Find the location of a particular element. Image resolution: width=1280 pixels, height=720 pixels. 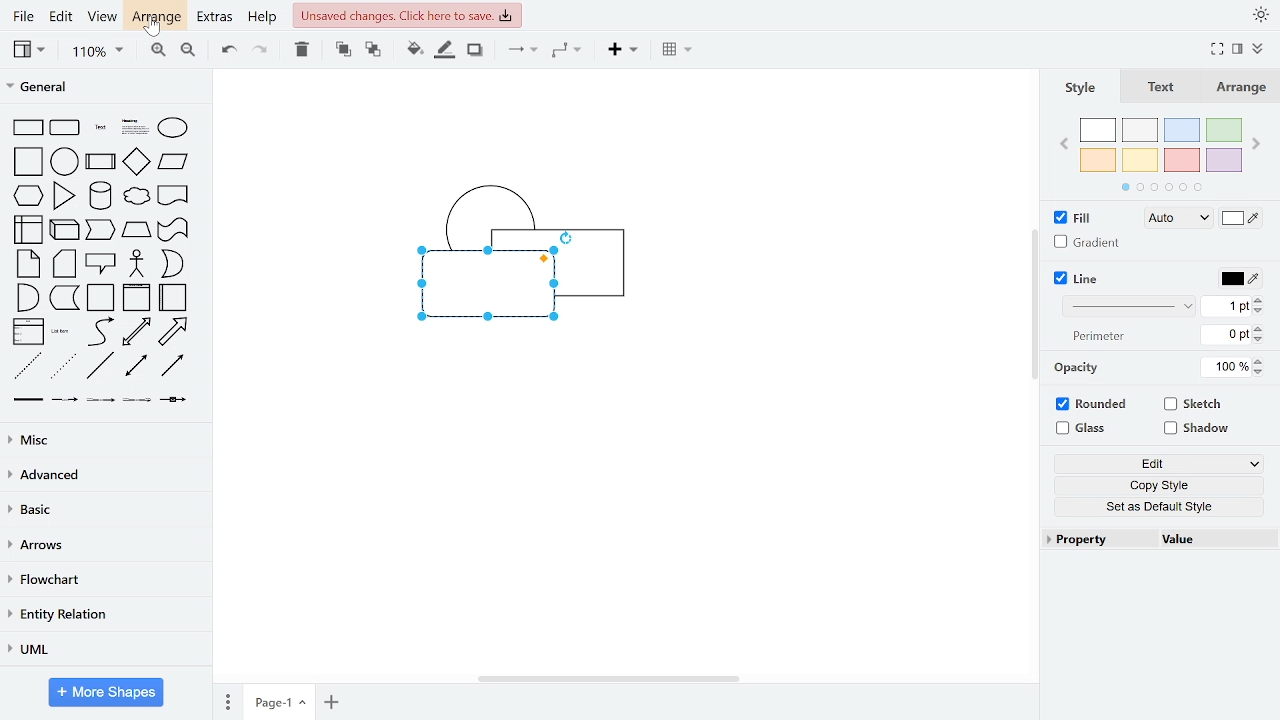

1pt is located at coordinates (1226, 306).